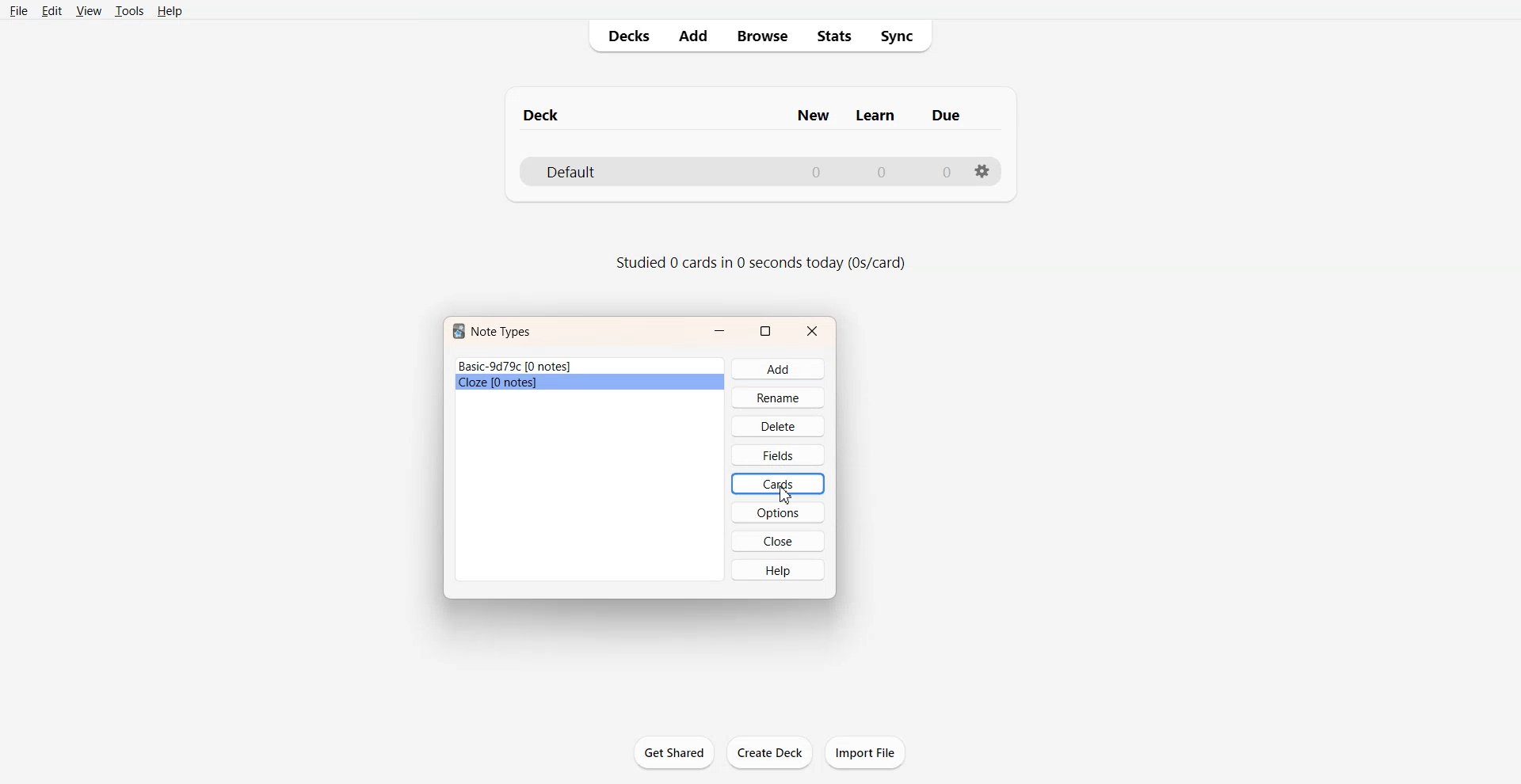 The image size is (1521, 784). Describe the element at coordinates (673, 752) in the screenshot. I see `Get Shared` at that location.